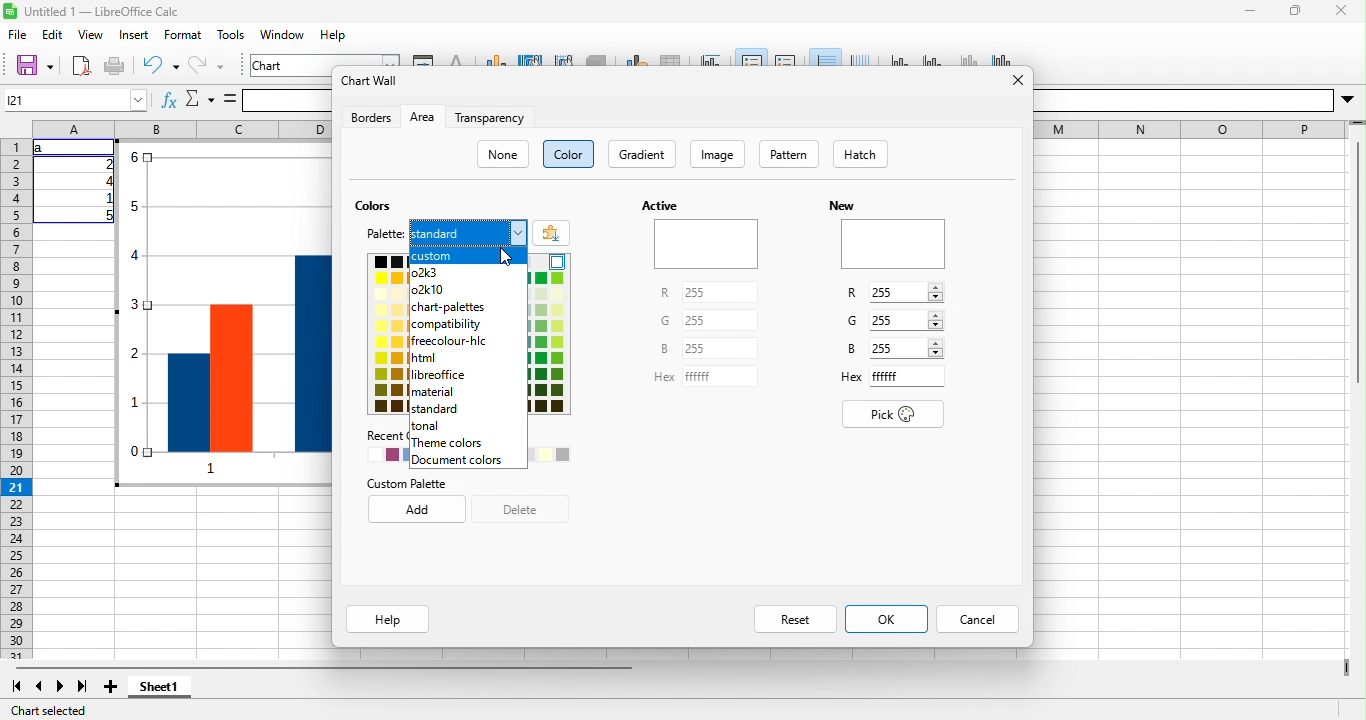 This screenshot has width=1366, height=720. I want to click on window, so click(283, 34).